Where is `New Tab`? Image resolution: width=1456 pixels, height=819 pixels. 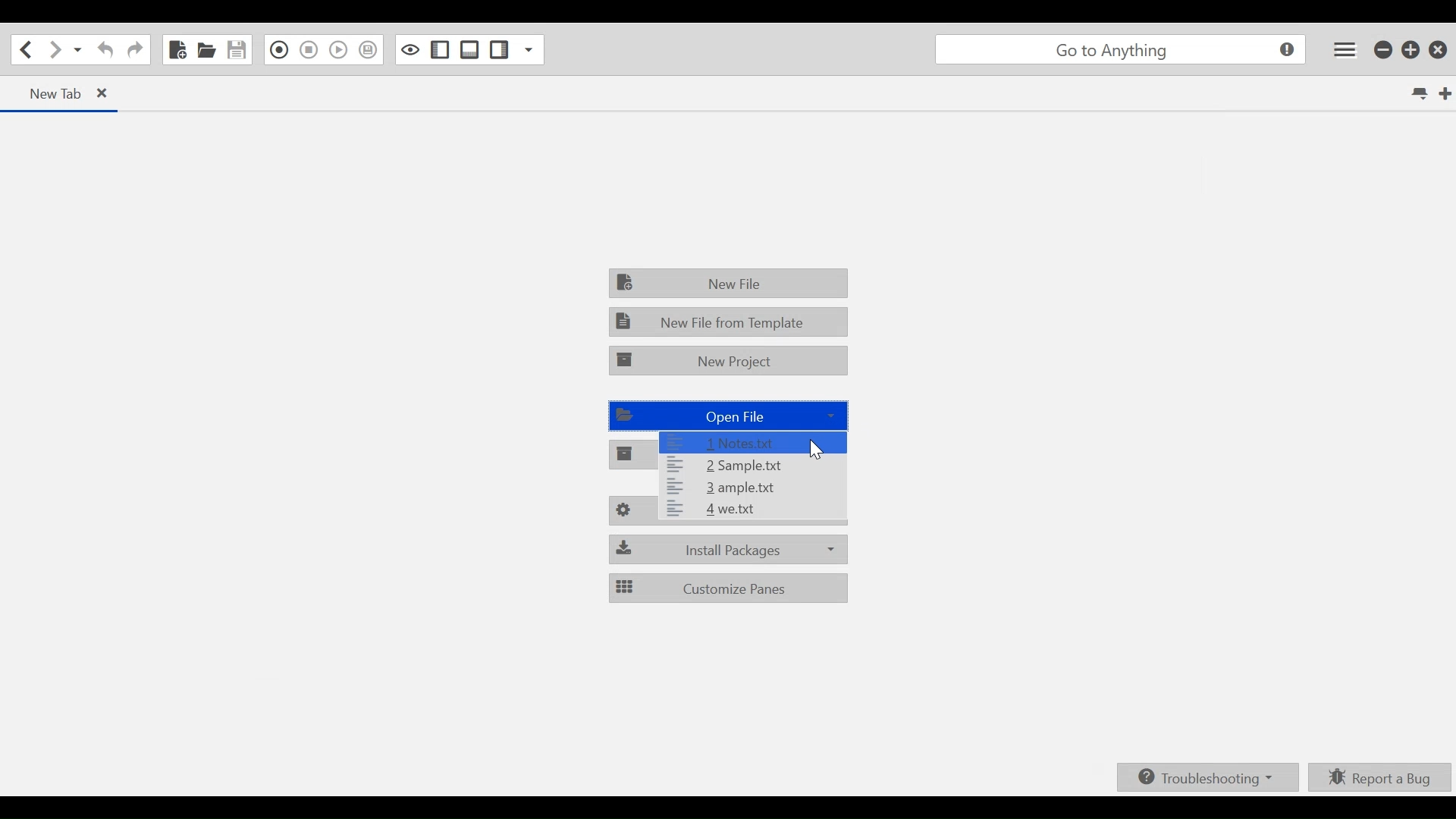
New Tab is located at coordinates (1446, 94).